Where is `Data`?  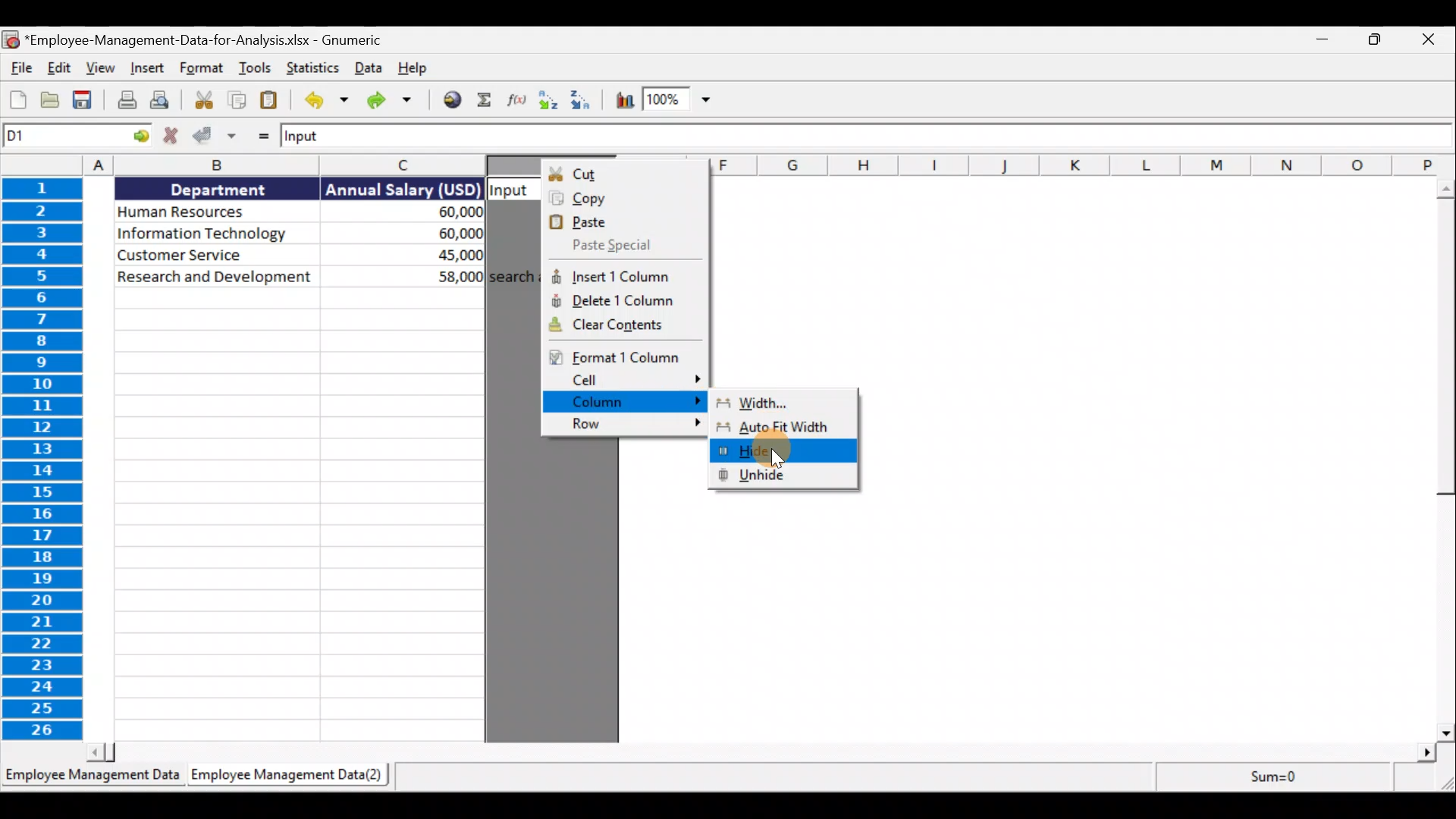 Data is located at coordinates (368, 66).